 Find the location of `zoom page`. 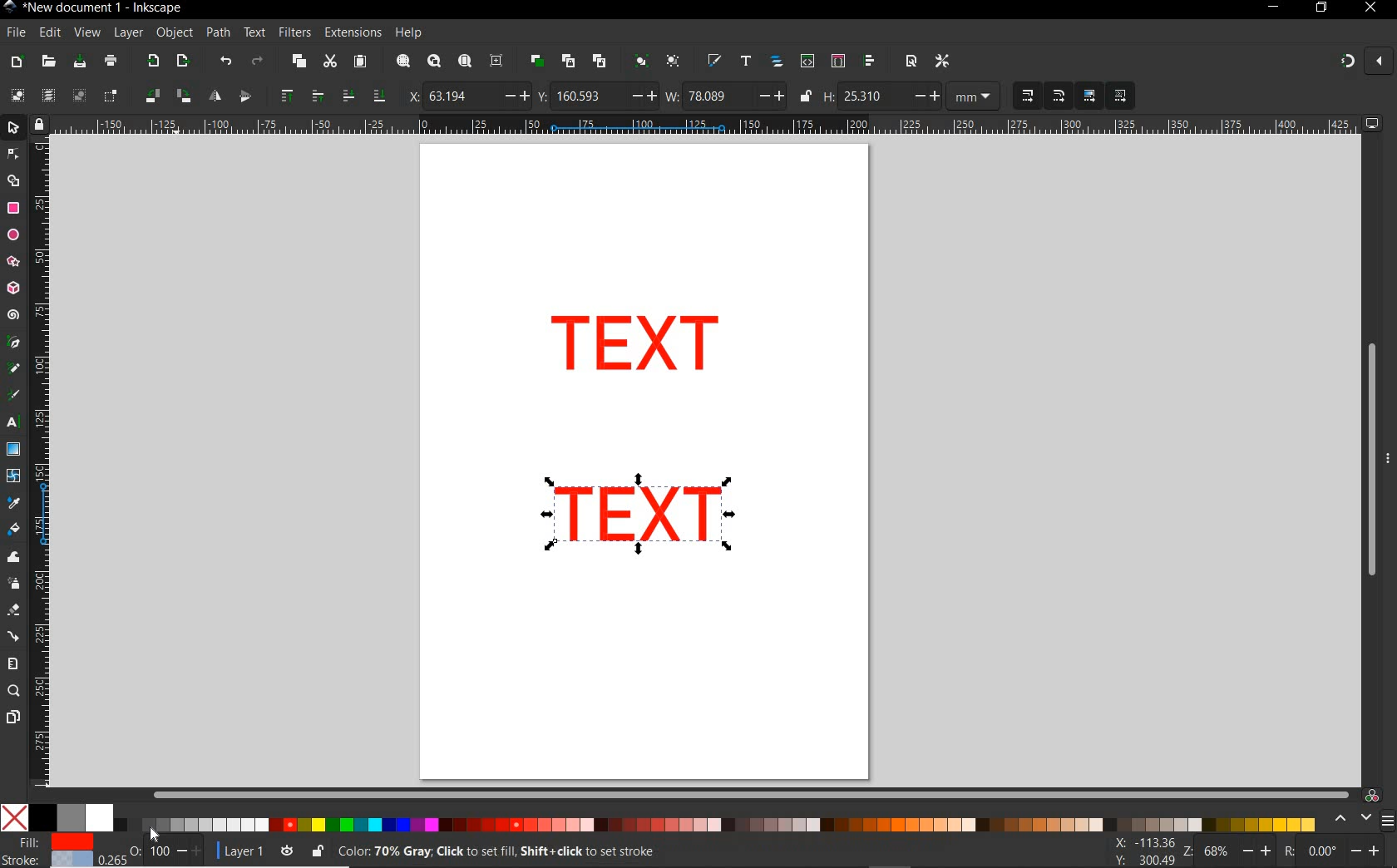

zoom page is located at coordinates (464, 61).